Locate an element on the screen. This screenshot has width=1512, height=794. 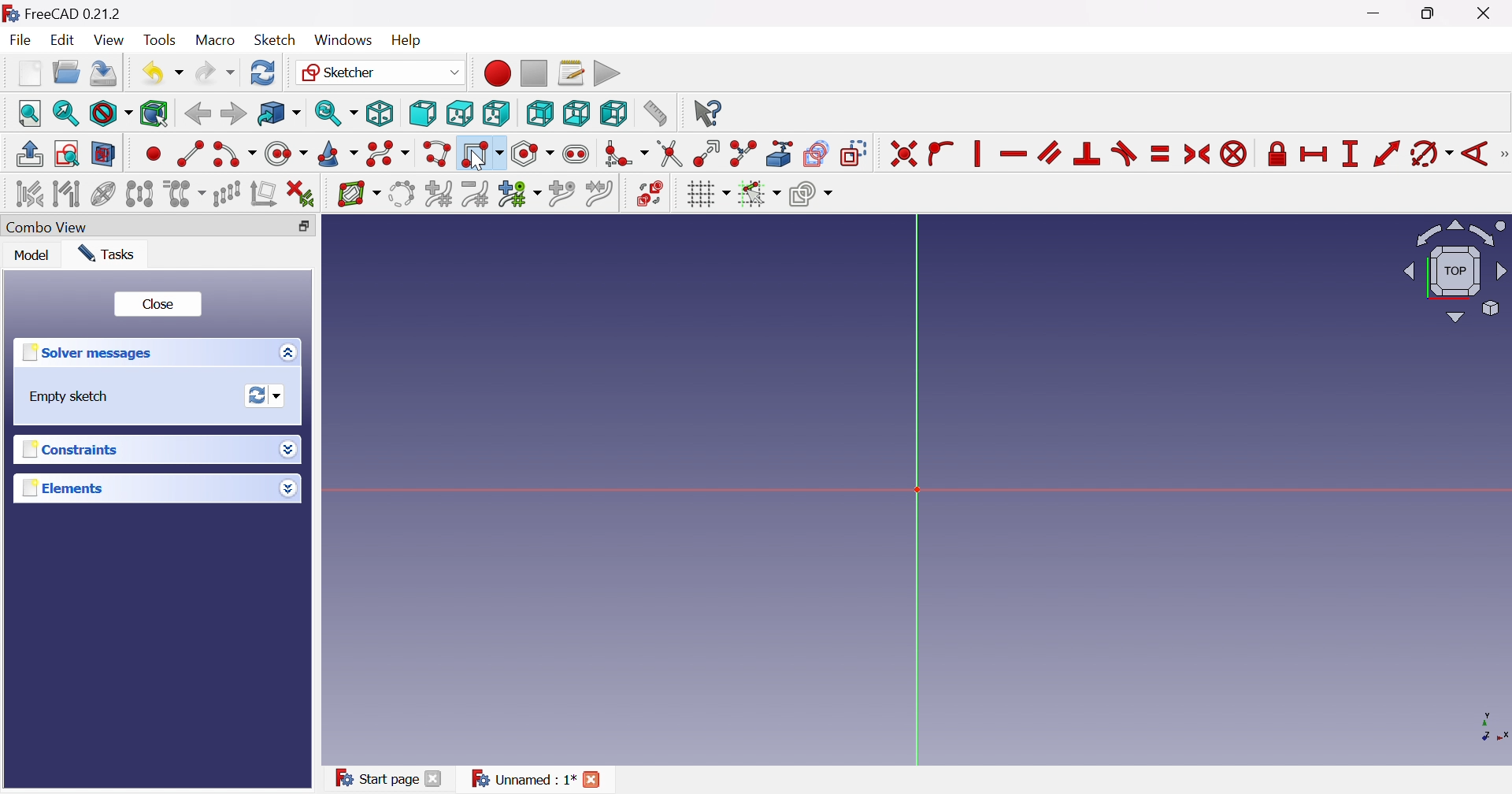
Forward is located at coordinates (234, 113).